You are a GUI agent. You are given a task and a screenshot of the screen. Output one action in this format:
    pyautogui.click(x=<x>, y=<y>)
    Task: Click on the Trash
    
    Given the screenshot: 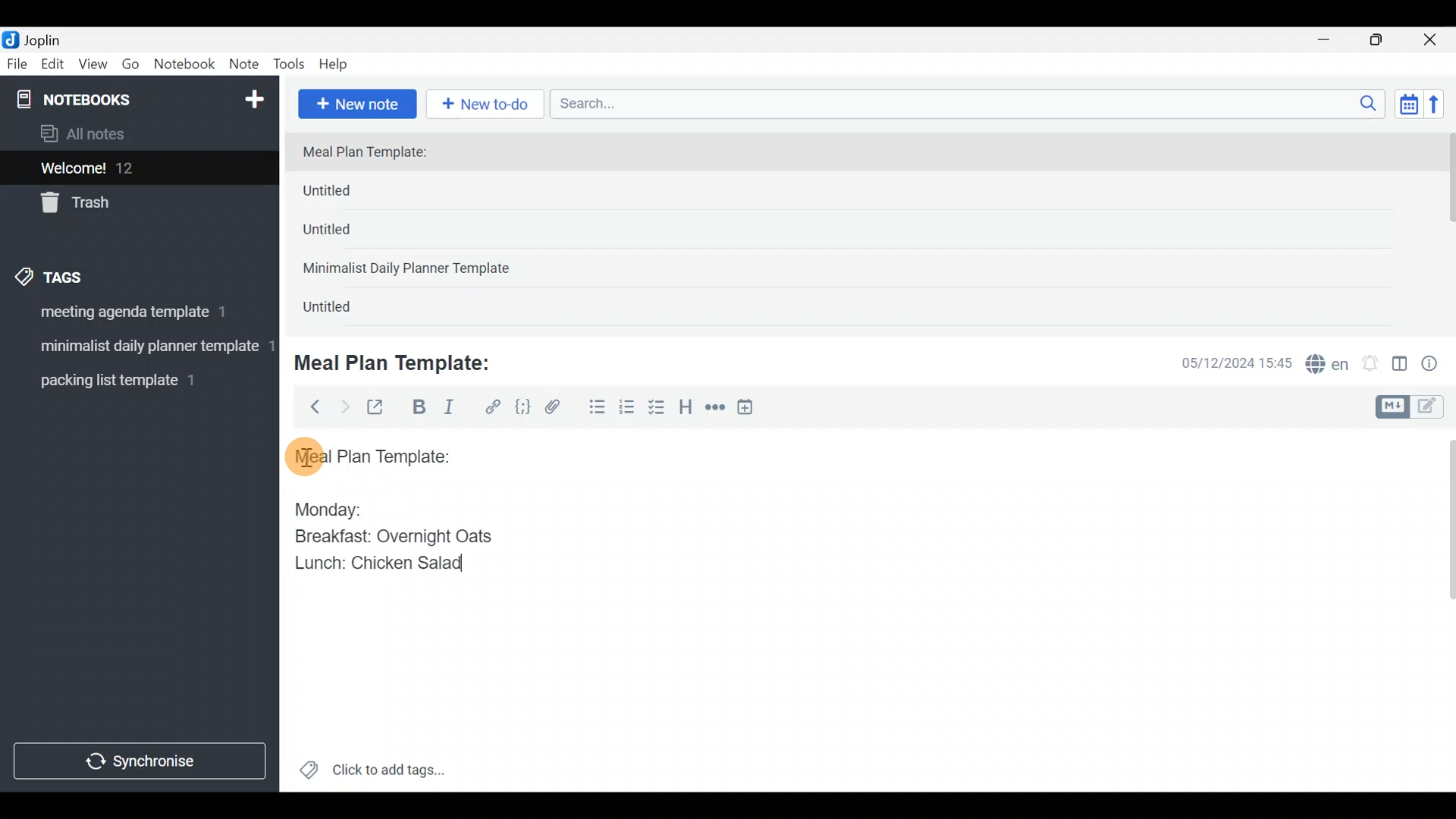 What is the action you would take?
    pyautogui.click(x=130, y=204)
    